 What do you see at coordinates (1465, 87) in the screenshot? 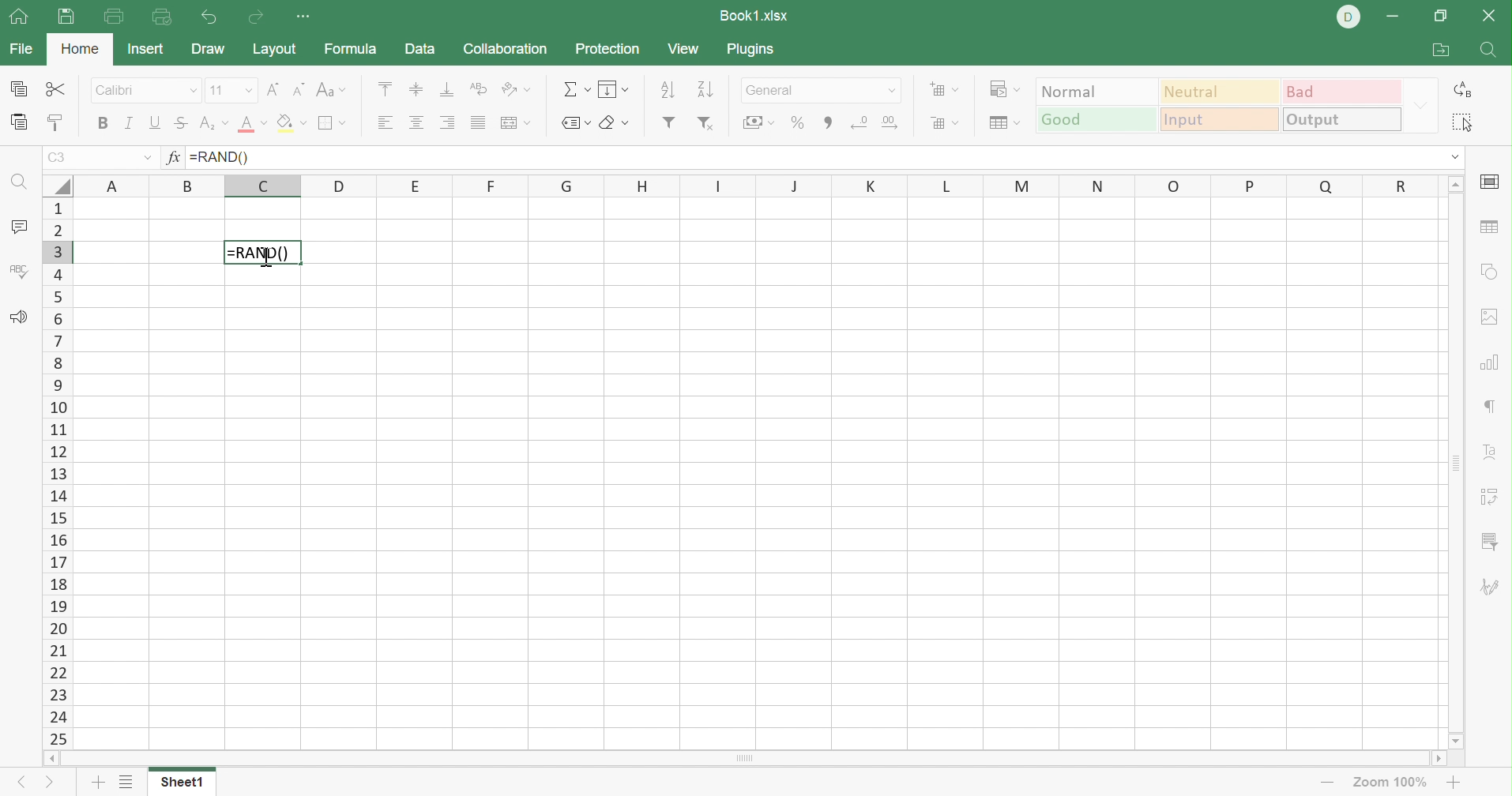
I see `Replace` at bounding box center [1465, 87].